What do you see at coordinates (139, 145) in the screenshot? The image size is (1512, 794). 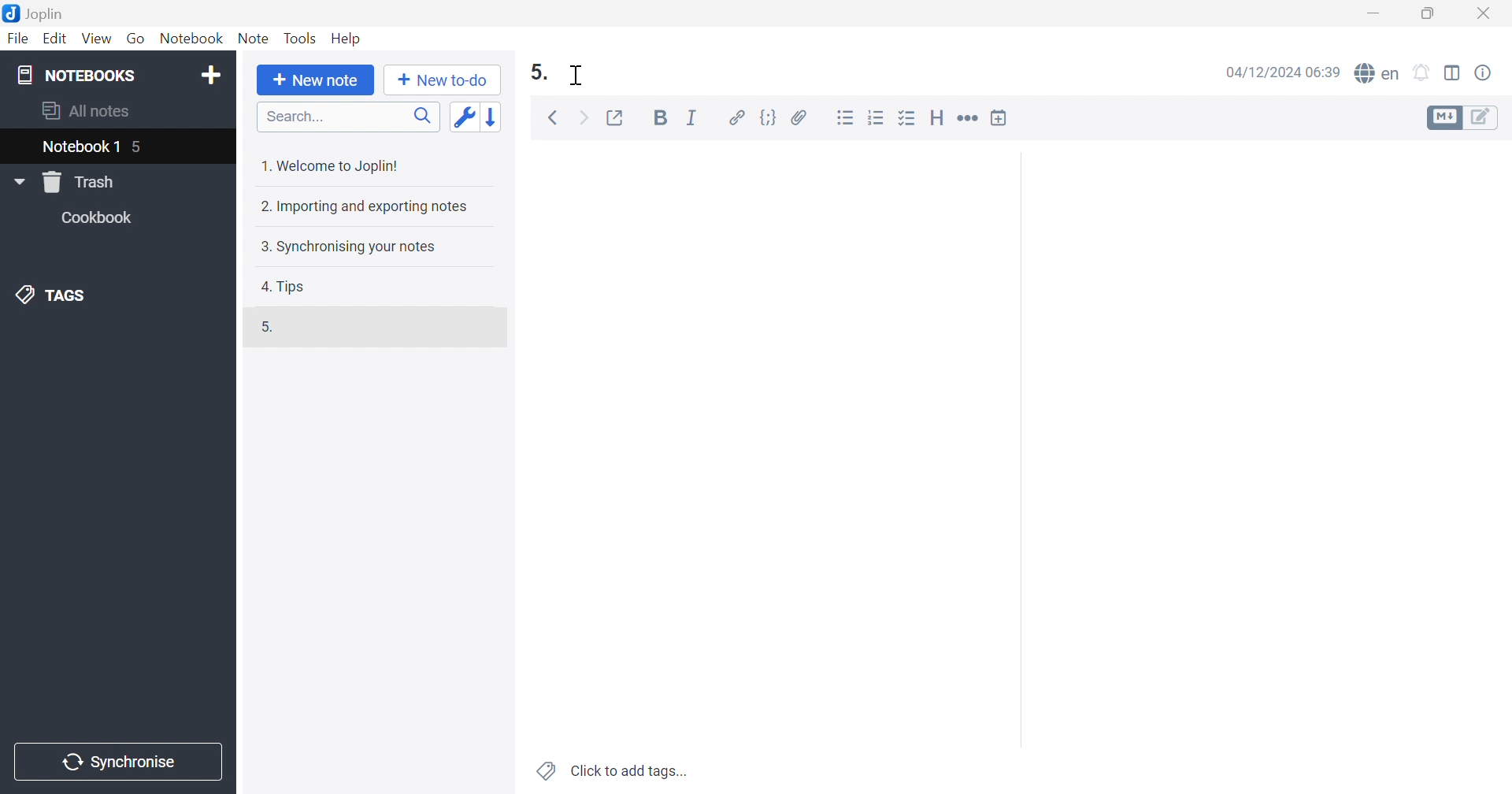 I see `5` at bounding box center [139, 145].